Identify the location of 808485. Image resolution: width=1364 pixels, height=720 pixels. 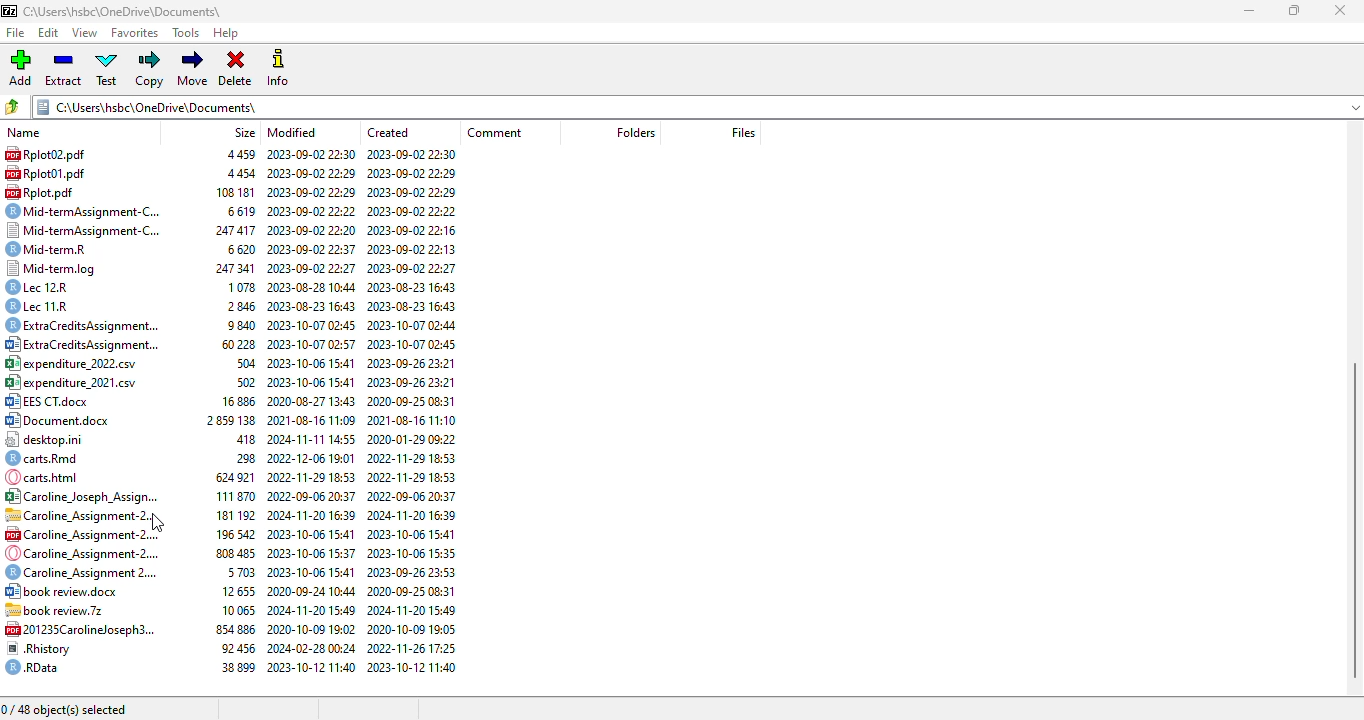
(234, 553).